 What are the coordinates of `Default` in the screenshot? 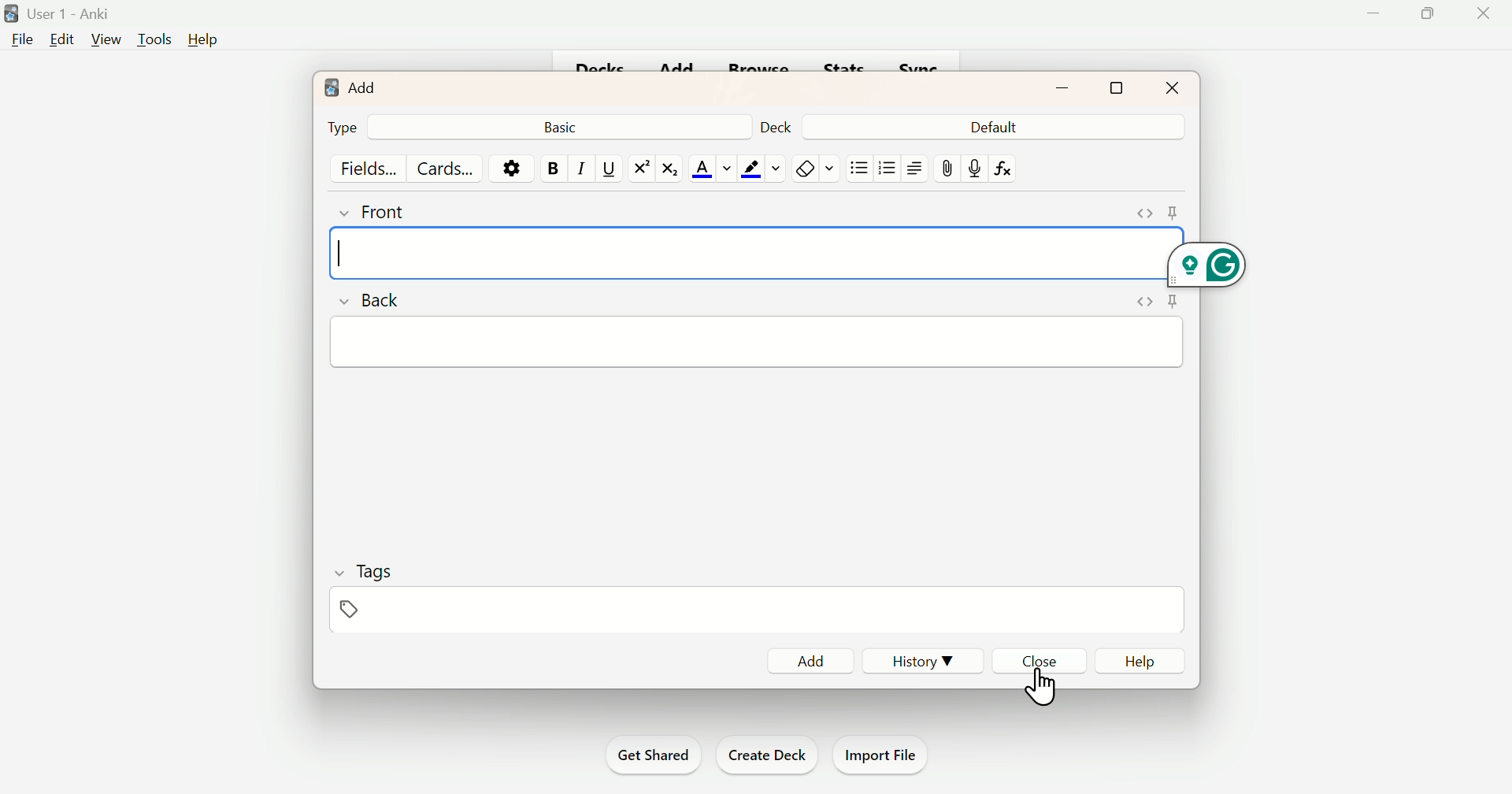 It's located at (991, 128).